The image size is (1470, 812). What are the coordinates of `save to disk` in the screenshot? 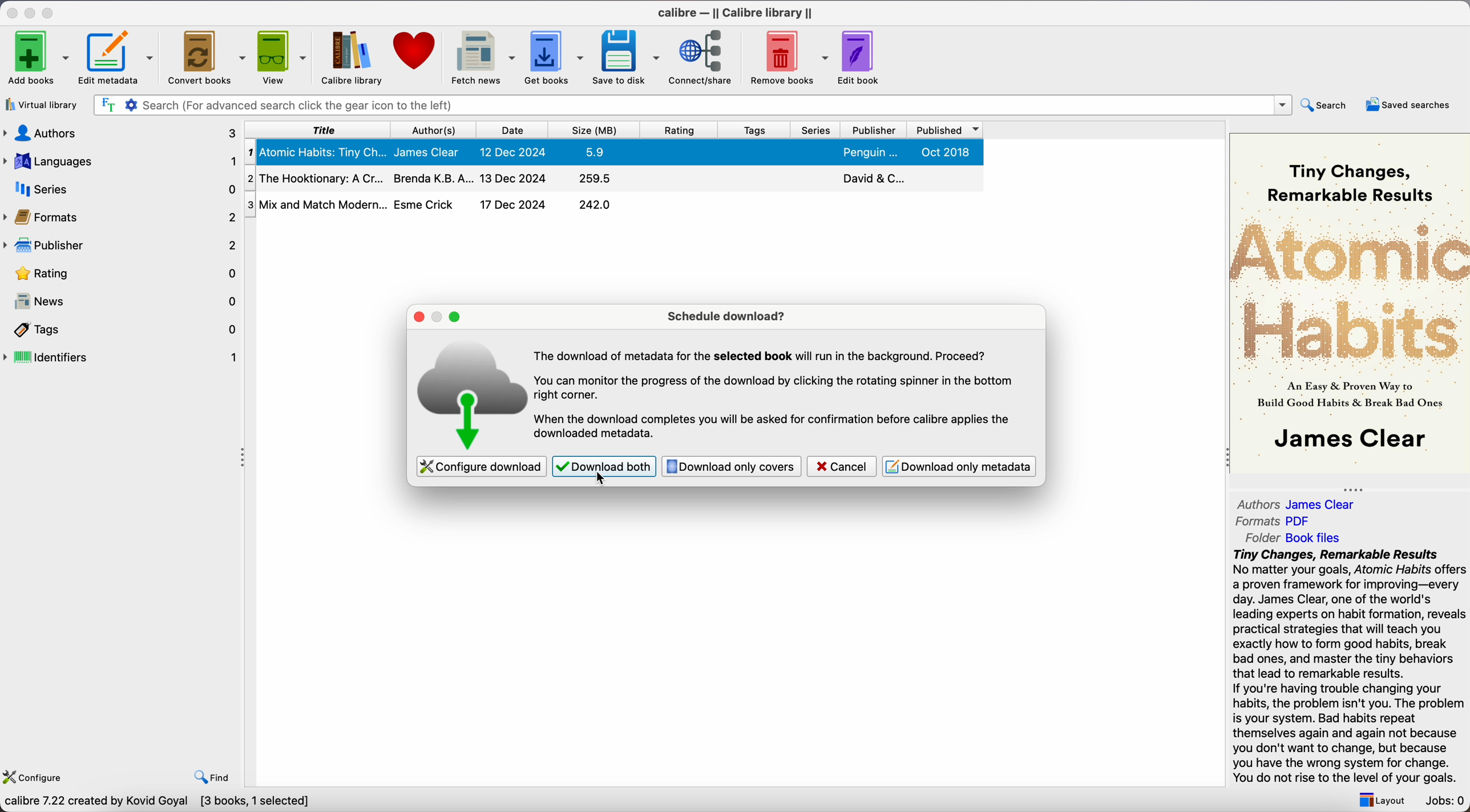 It's located at (627, 58).